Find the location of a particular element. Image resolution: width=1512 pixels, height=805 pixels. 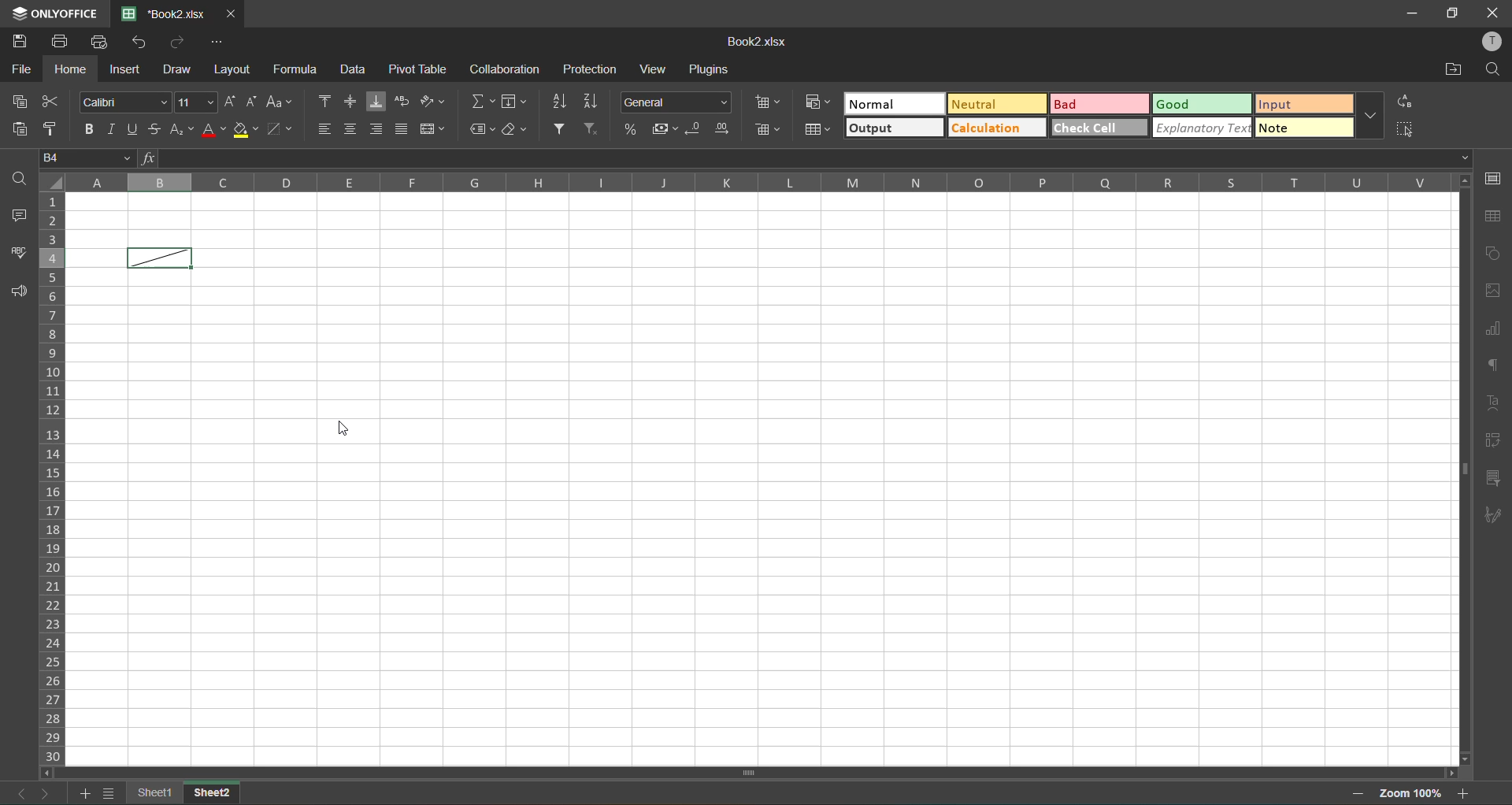

orientation is located at coordinates (432, 102).